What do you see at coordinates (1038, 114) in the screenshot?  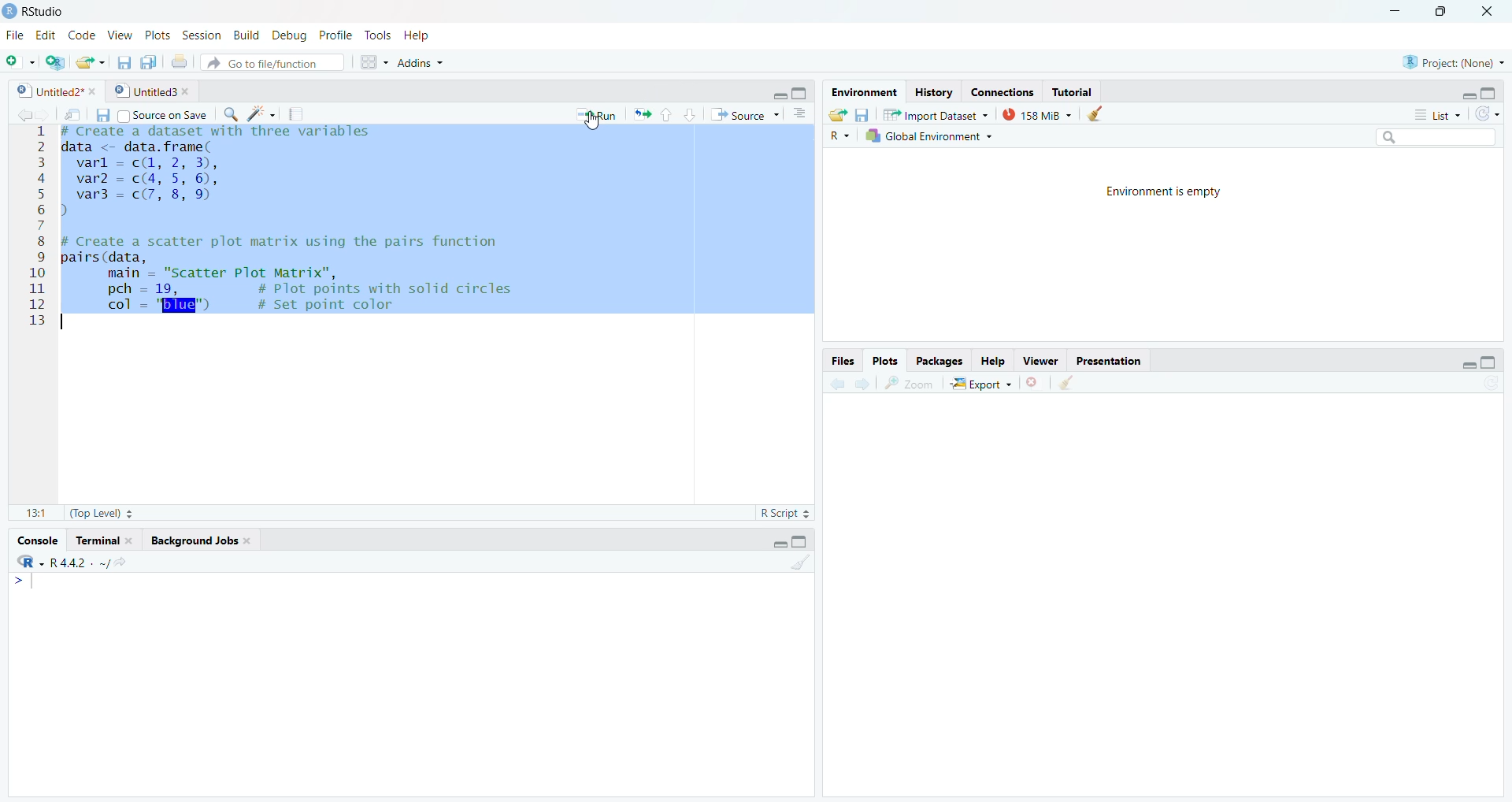 I see `156 mb` at bounding box center [1038, 114].